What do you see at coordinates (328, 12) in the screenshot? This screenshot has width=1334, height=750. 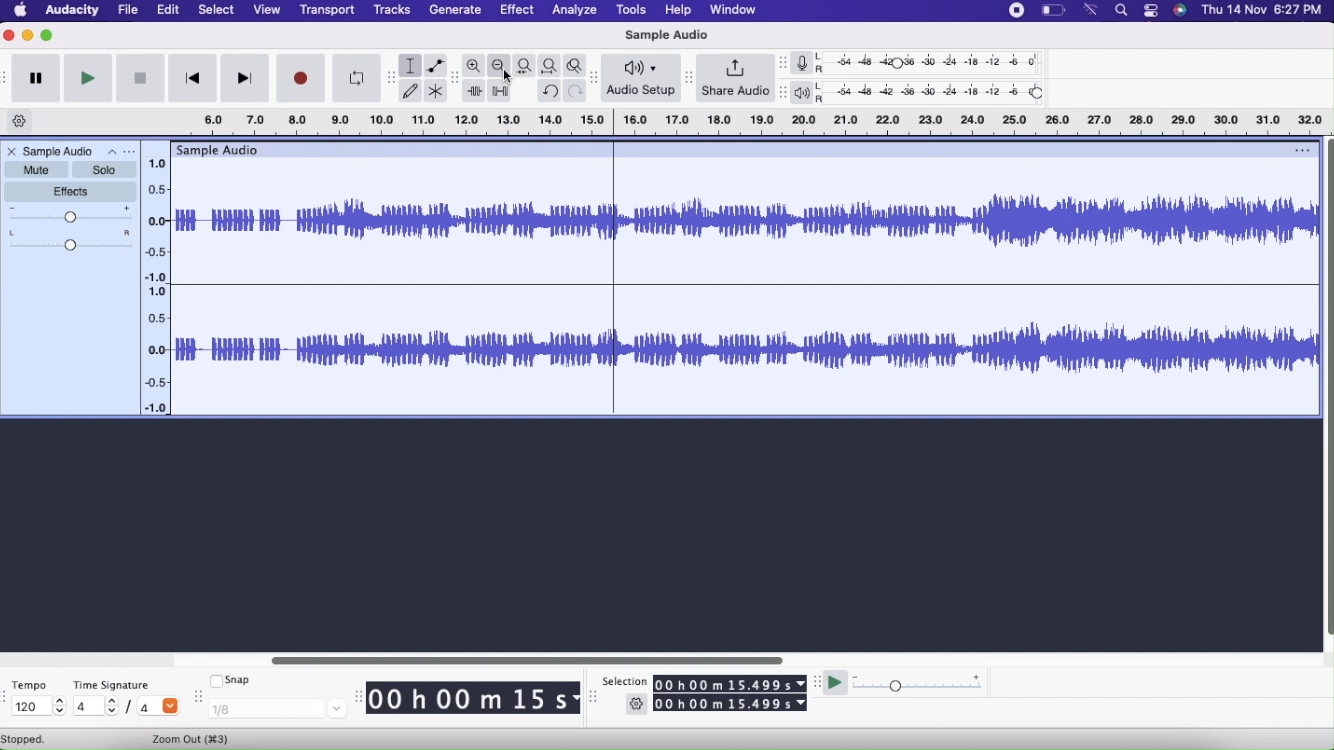 I see `Transport` at bounding box center [328, 12].